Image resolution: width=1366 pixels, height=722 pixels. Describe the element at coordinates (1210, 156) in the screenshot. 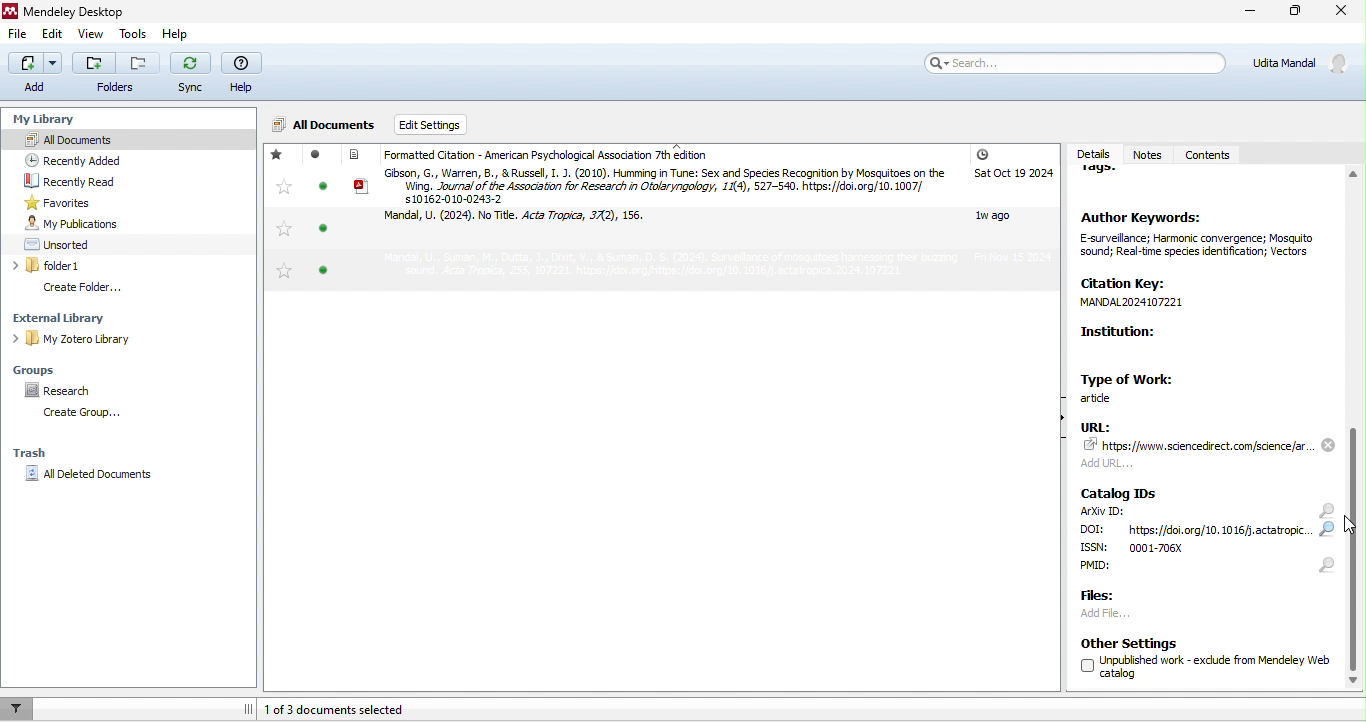

I see `contents` at that location.